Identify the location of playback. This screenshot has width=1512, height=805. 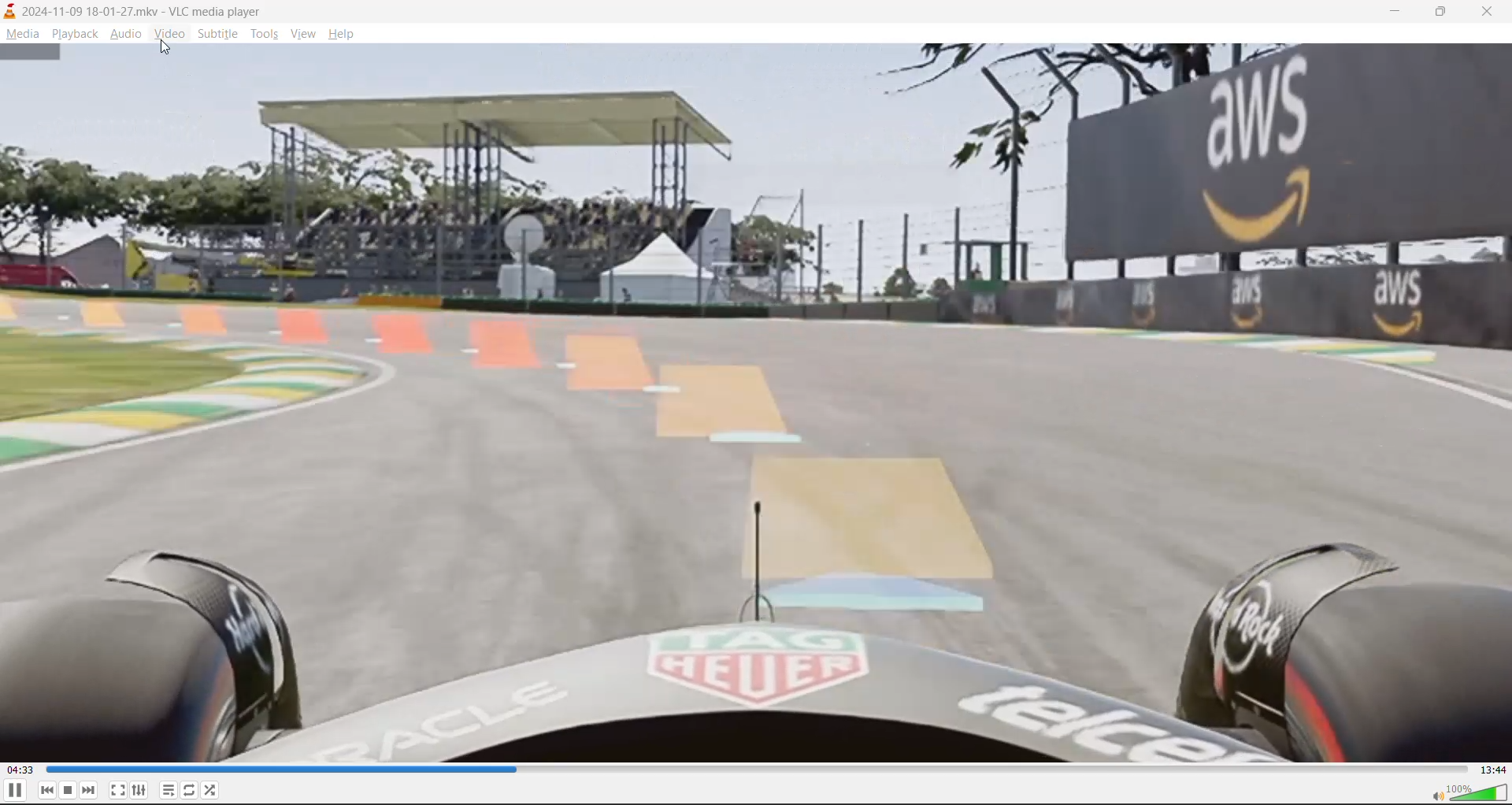
(75, 35).